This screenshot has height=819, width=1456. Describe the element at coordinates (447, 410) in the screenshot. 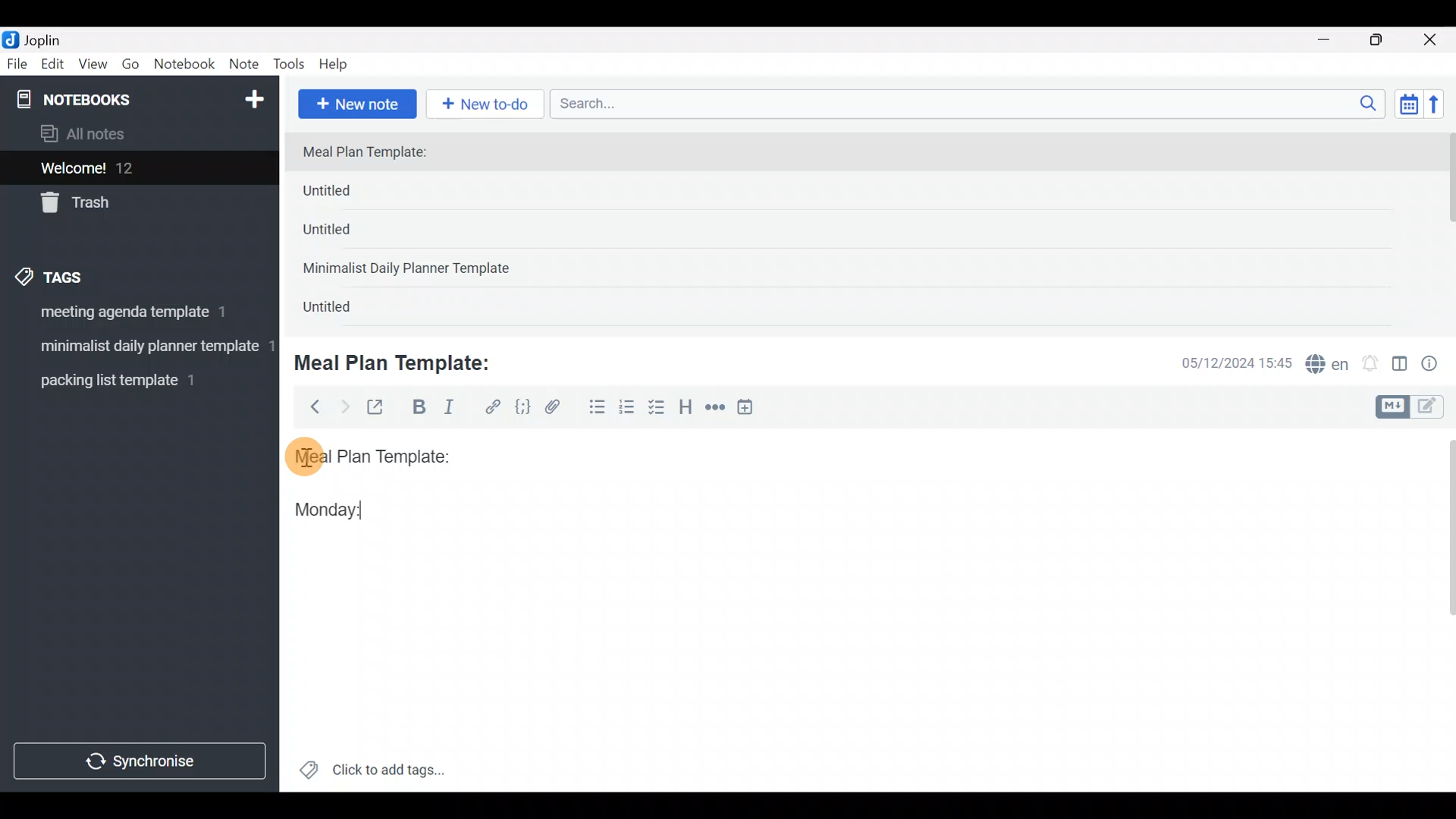

I see `Italic` at that location.